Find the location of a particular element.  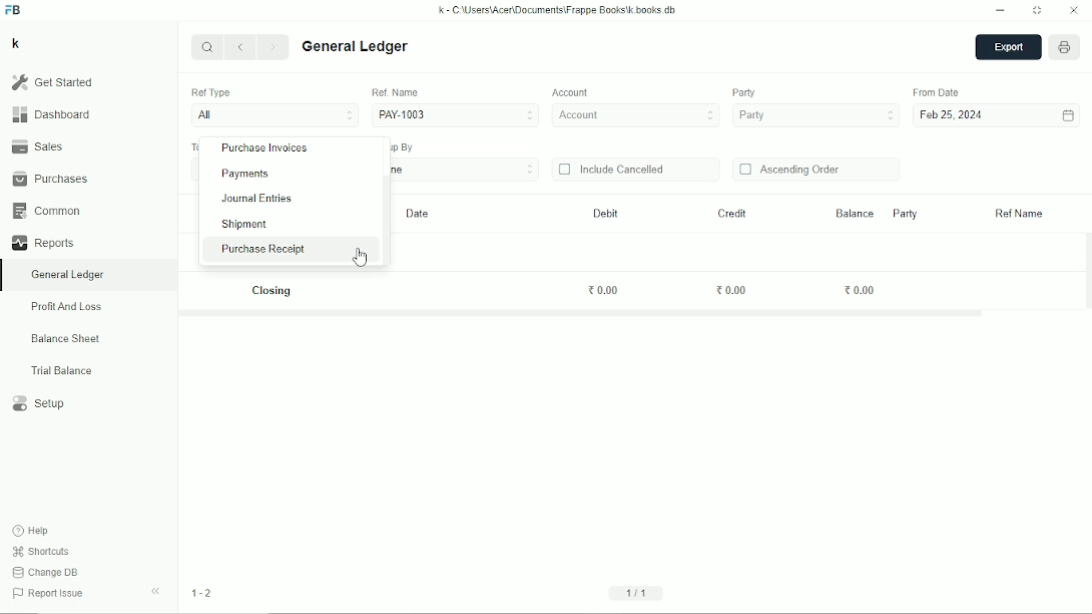

Credit is located at coordinates (731, 214).